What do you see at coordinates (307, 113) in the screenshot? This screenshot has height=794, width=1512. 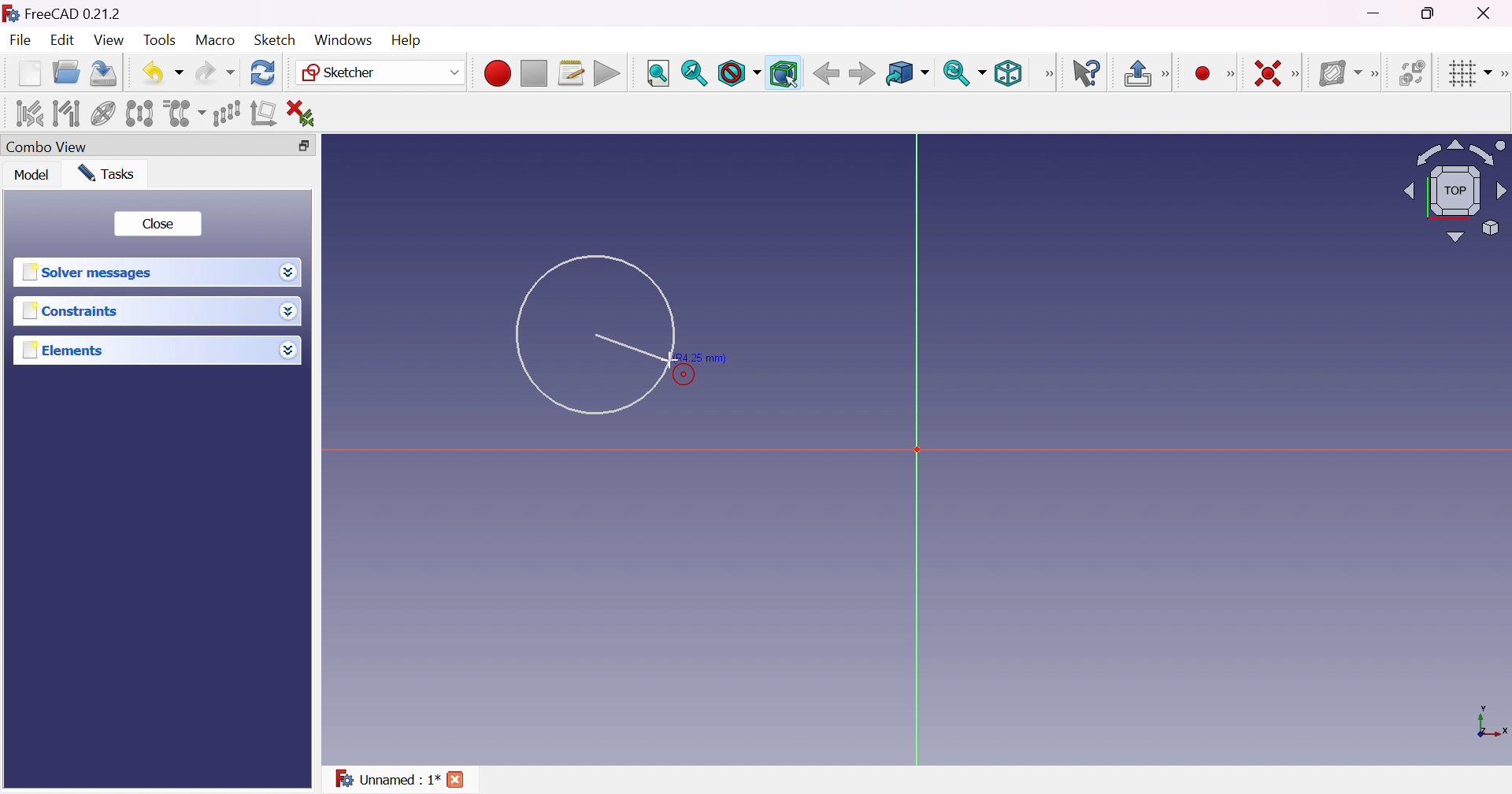 I see `Delete all constraints` at bounding box center [307, 113].